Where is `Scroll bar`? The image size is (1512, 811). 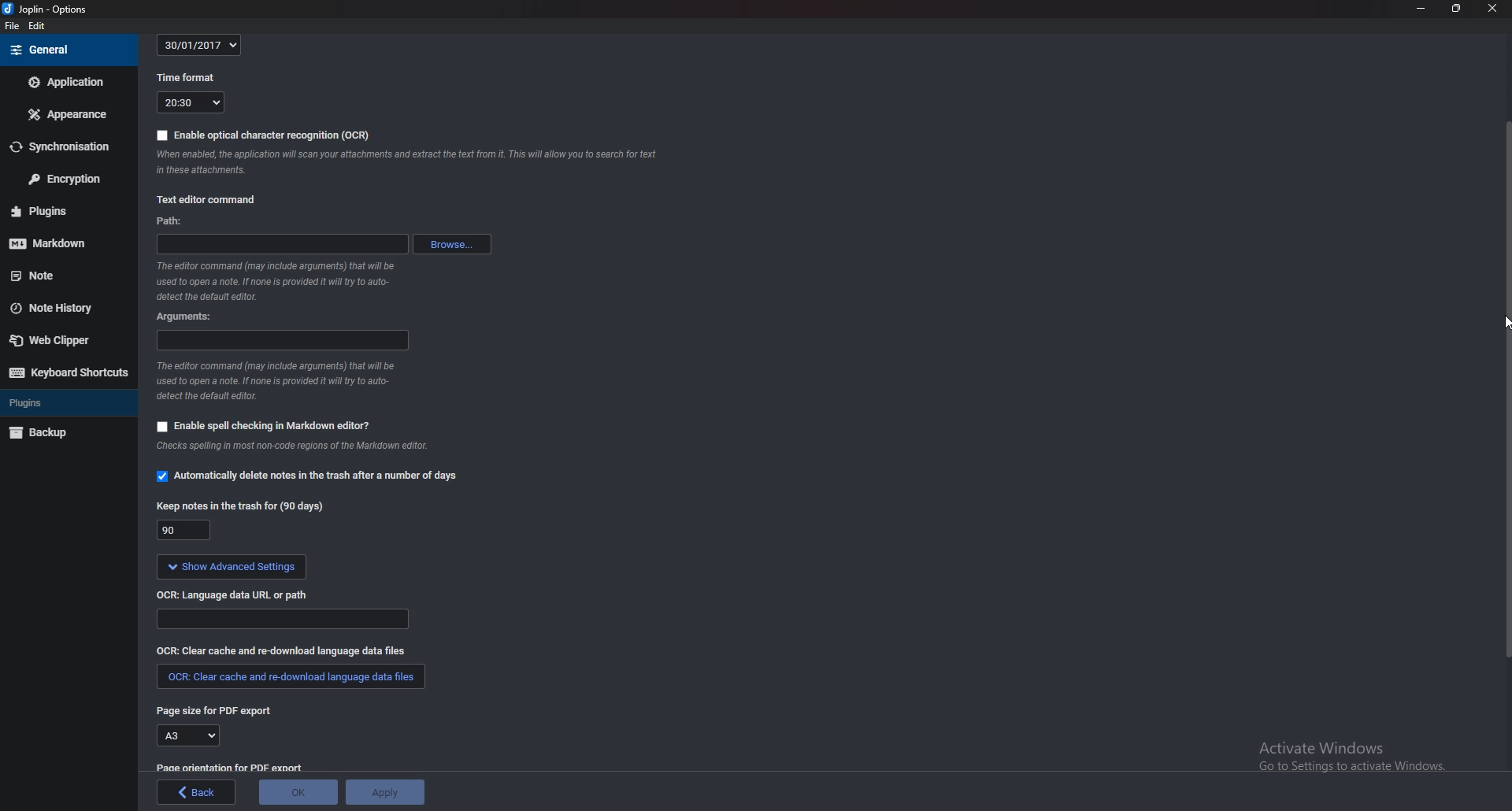 Scroll bar is located at coordinates (1505, 394).